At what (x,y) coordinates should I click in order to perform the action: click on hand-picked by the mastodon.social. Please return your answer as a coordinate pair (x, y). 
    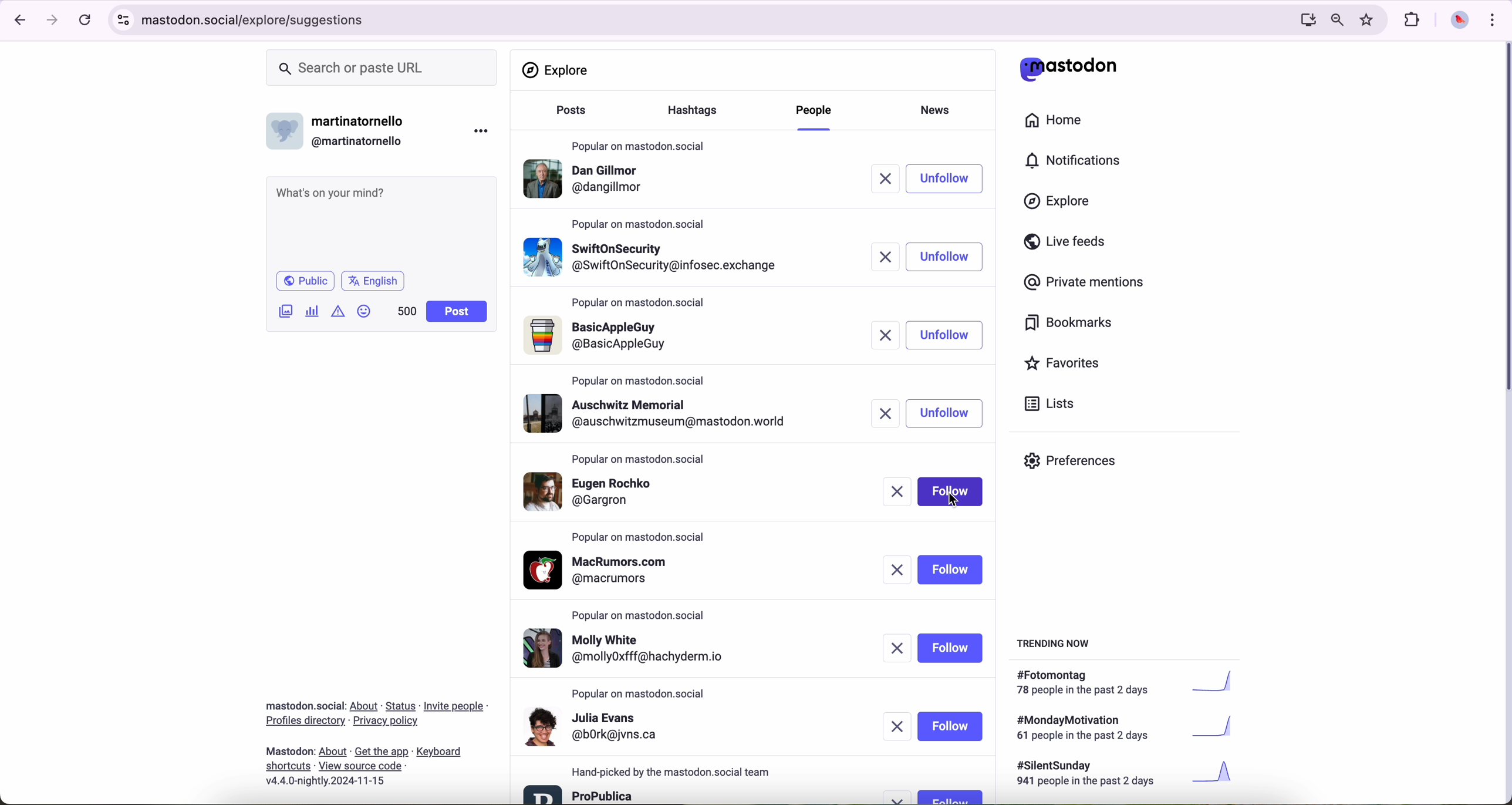
    Looking at the image, I should click on (679, 772).